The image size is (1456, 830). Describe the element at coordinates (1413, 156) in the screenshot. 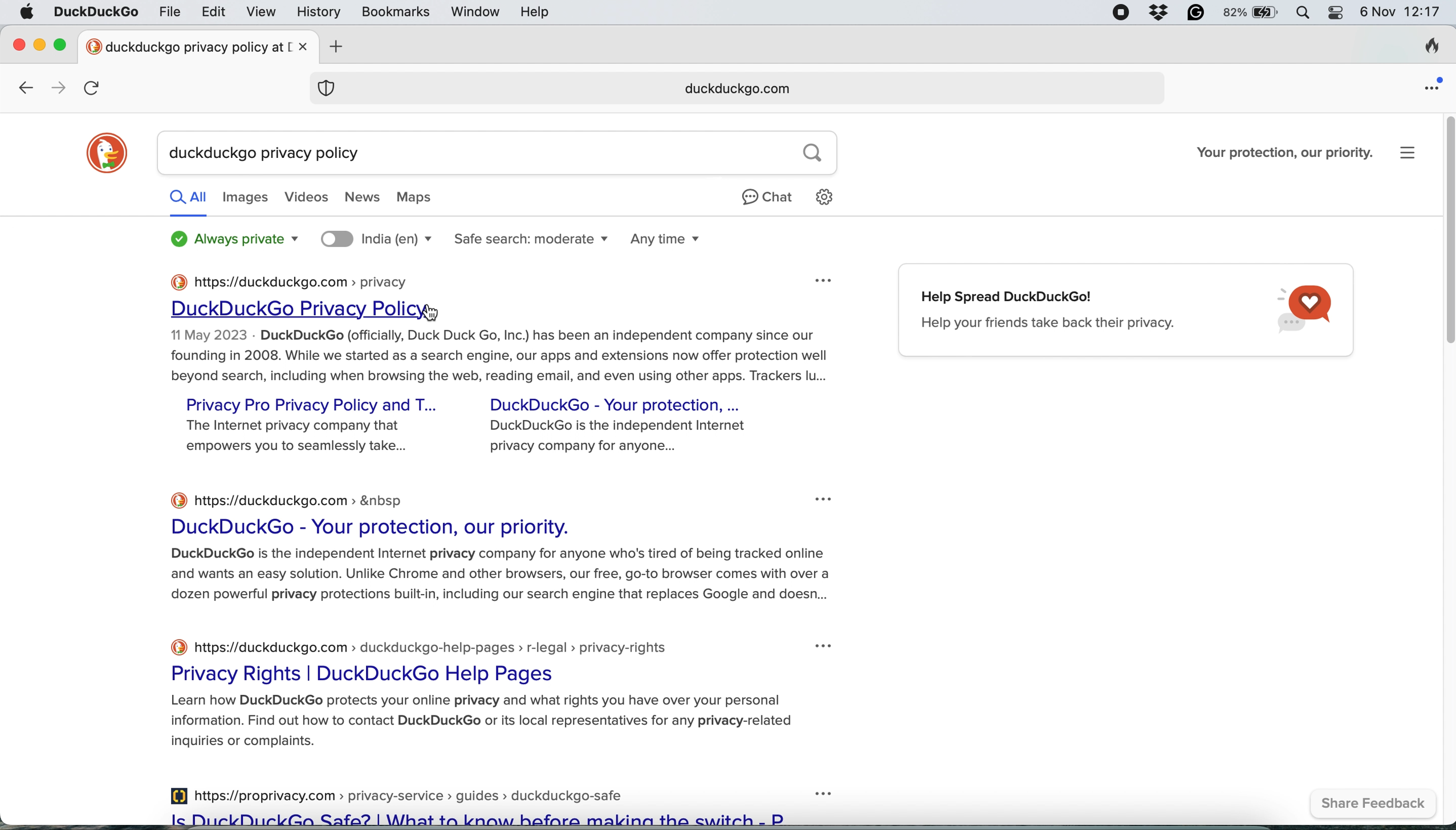

I see `more options` at that location.